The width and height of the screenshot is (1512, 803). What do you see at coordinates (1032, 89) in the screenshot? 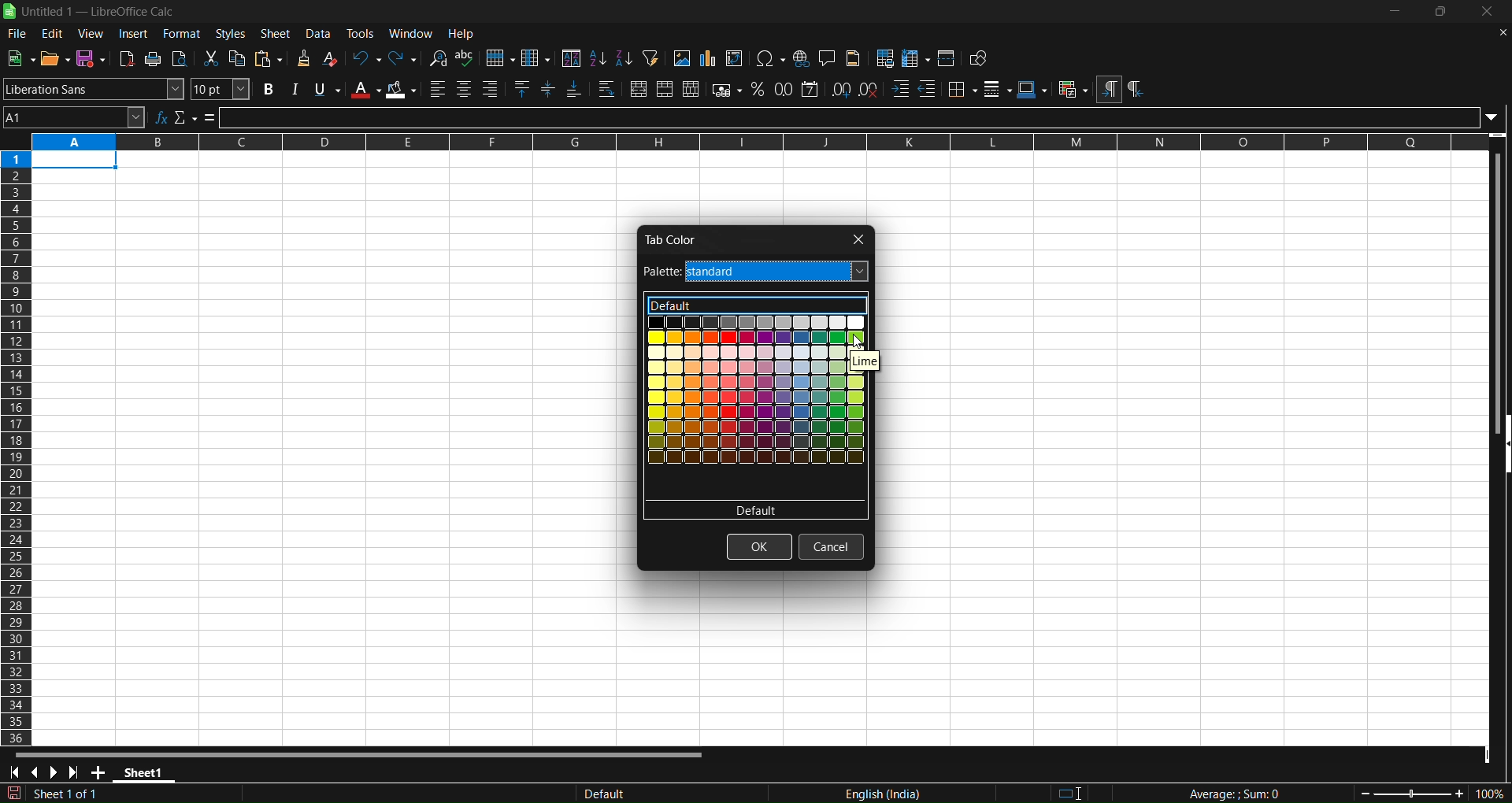
I see `border color` at bounding box center [1032, 89].